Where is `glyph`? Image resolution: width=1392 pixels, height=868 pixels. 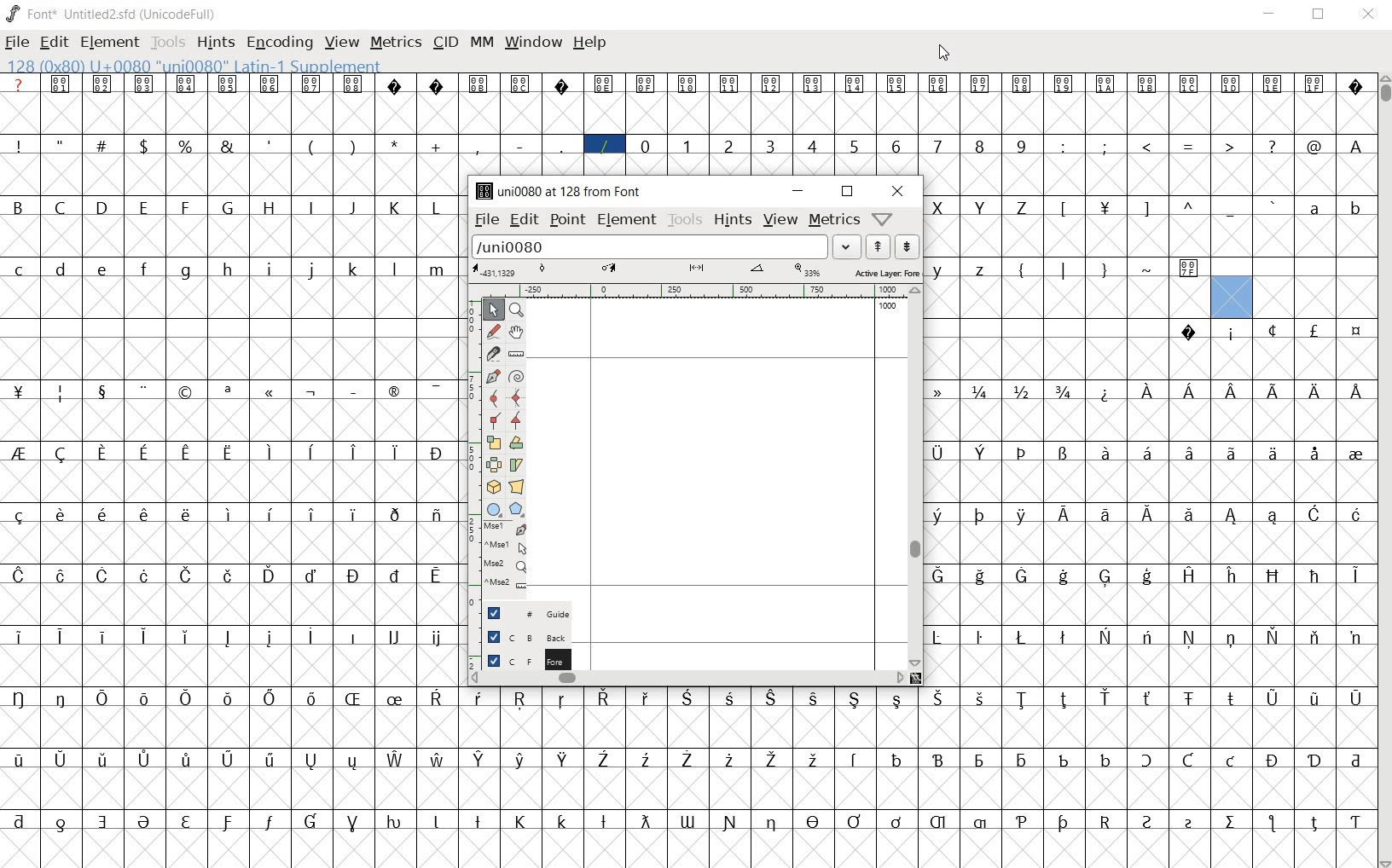
glyph is located at coordinates (980, 698).